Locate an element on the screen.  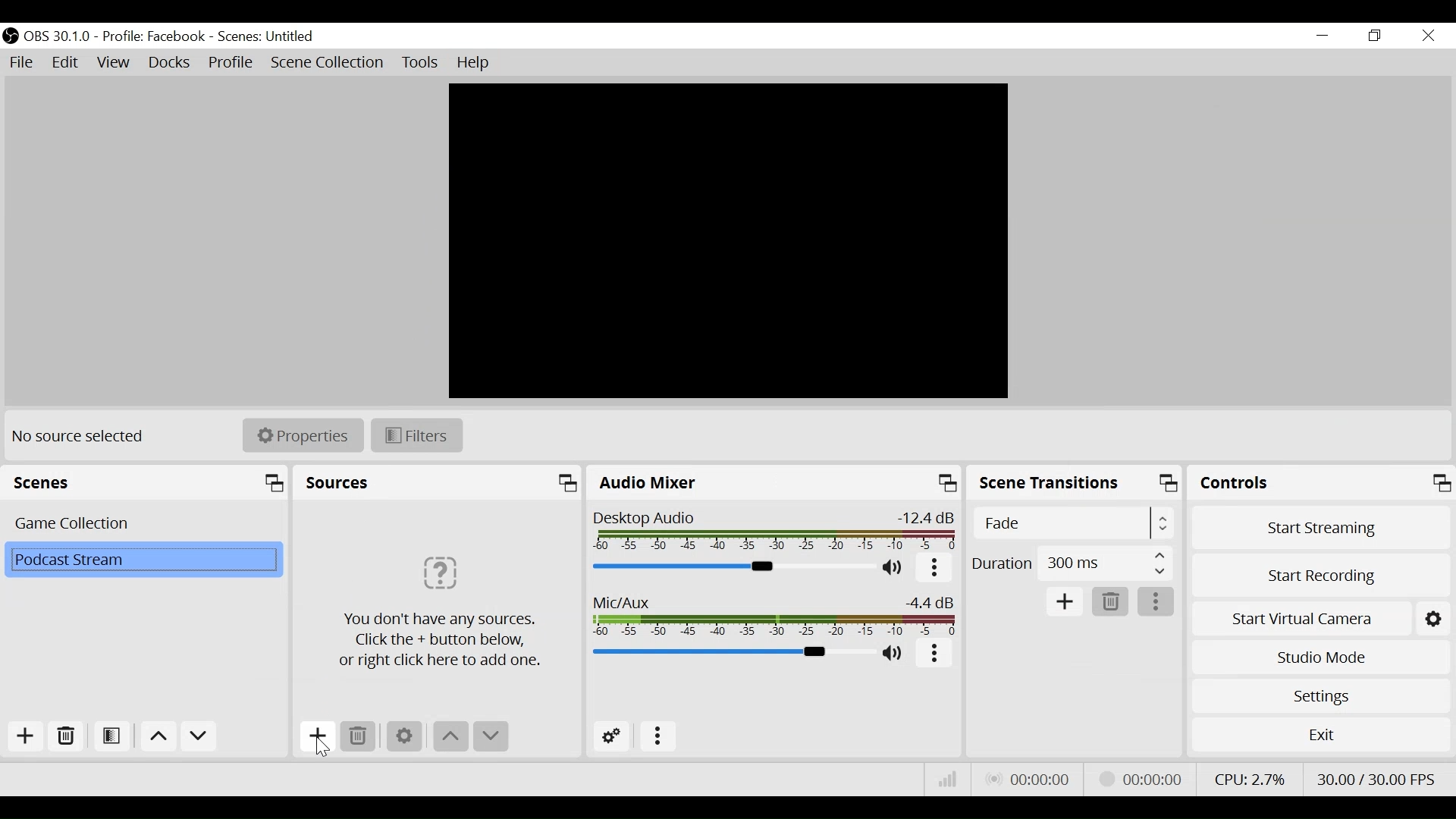
Open Scene Filter is located at coordinates (111, 736).